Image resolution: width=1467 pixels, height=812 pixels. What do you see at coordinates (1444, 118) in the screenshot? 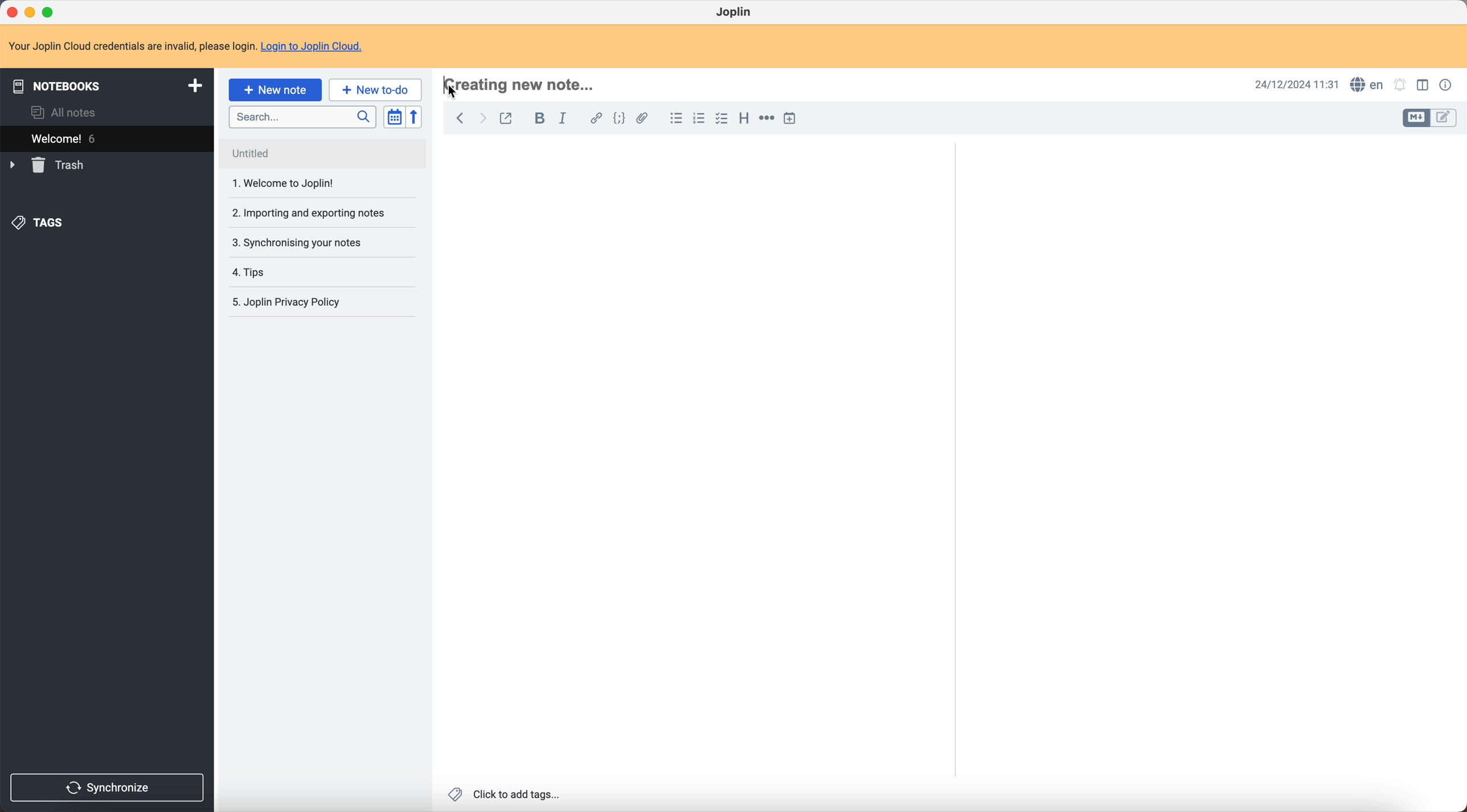
I see `toggle edit layout` at bounding box center [1444, 118].